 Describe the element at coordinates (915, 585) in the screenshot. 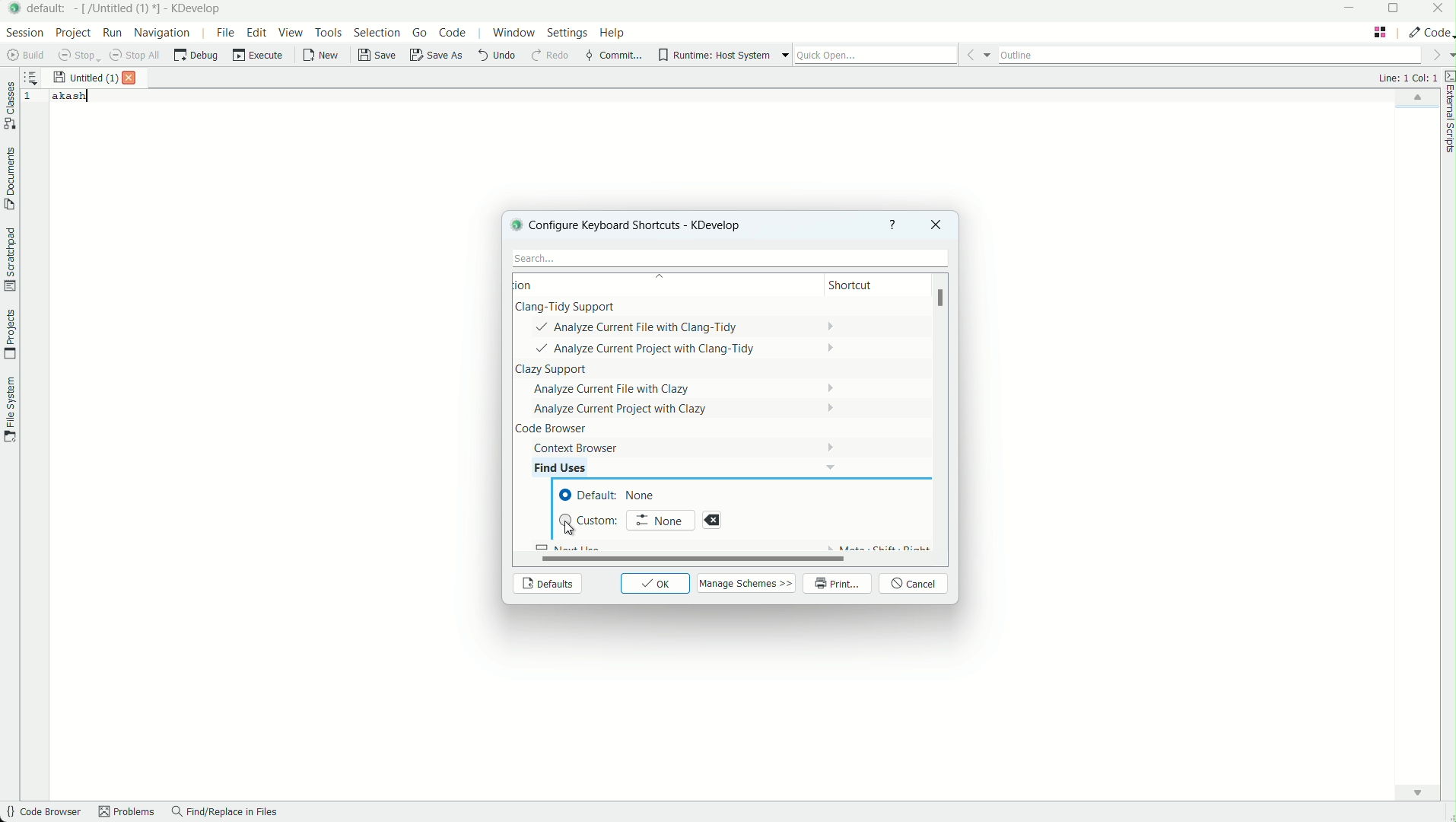

I see `cancel` at that location.